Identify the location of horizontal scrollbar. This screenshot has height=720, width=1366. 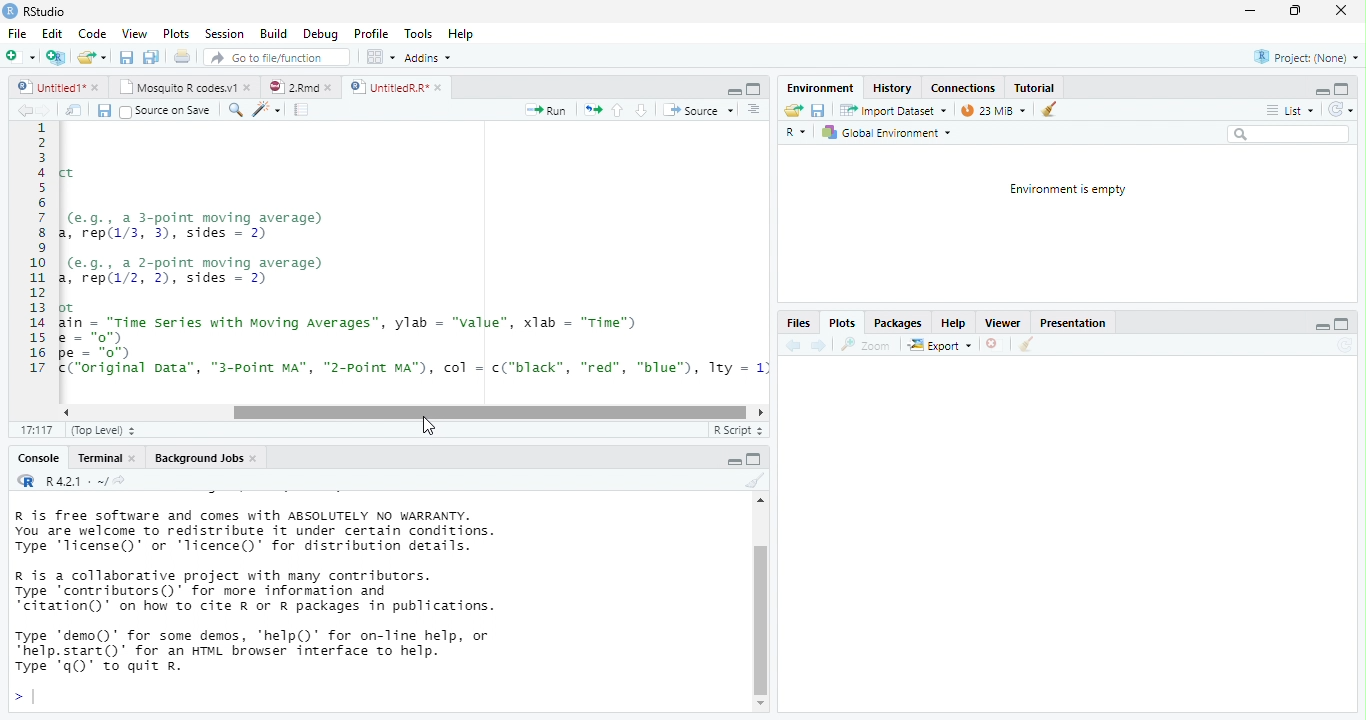
(489, 414).